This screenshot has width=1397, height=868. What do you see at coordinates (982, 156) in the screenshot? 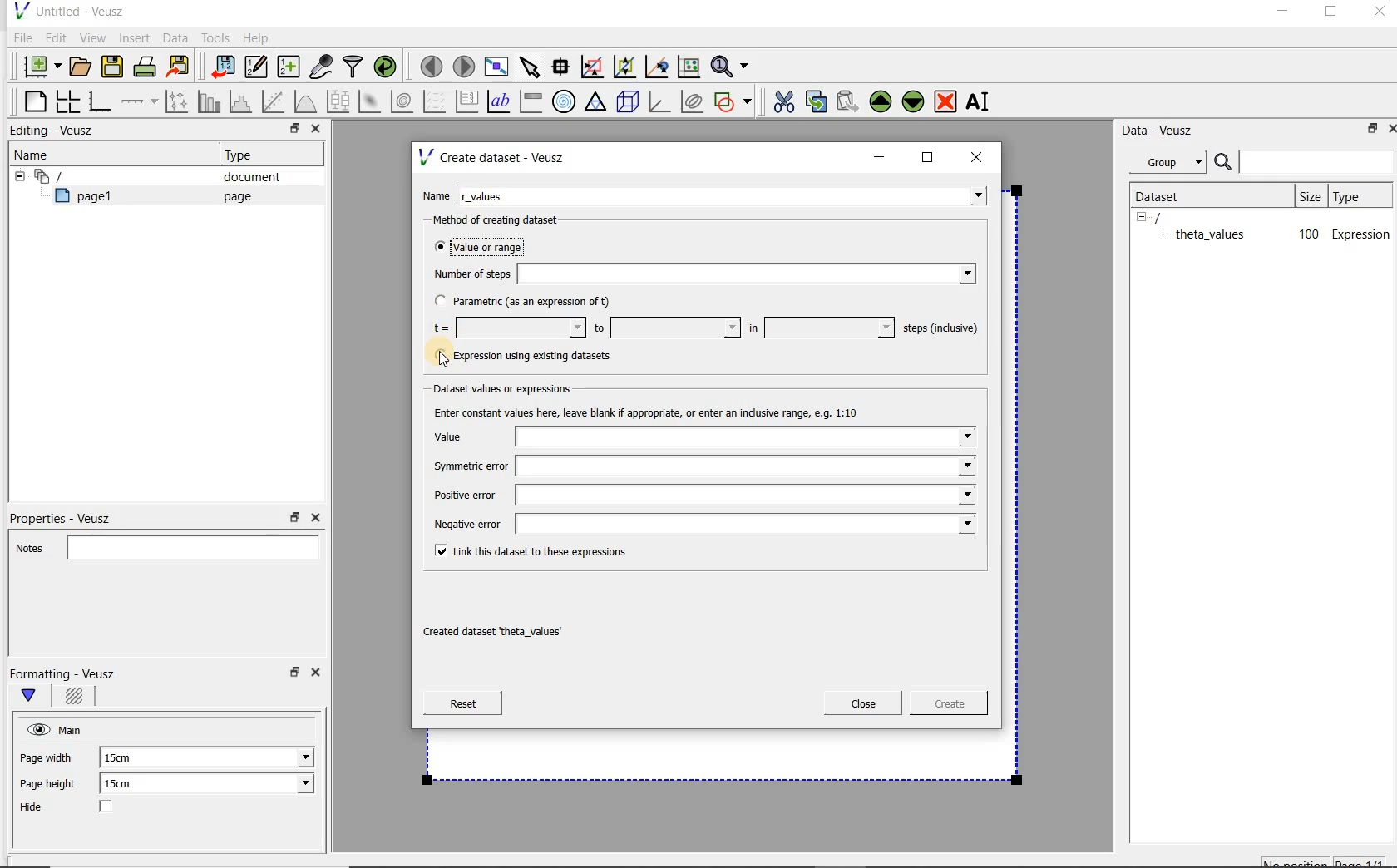
I see `close` at bounding box center [982, 156].